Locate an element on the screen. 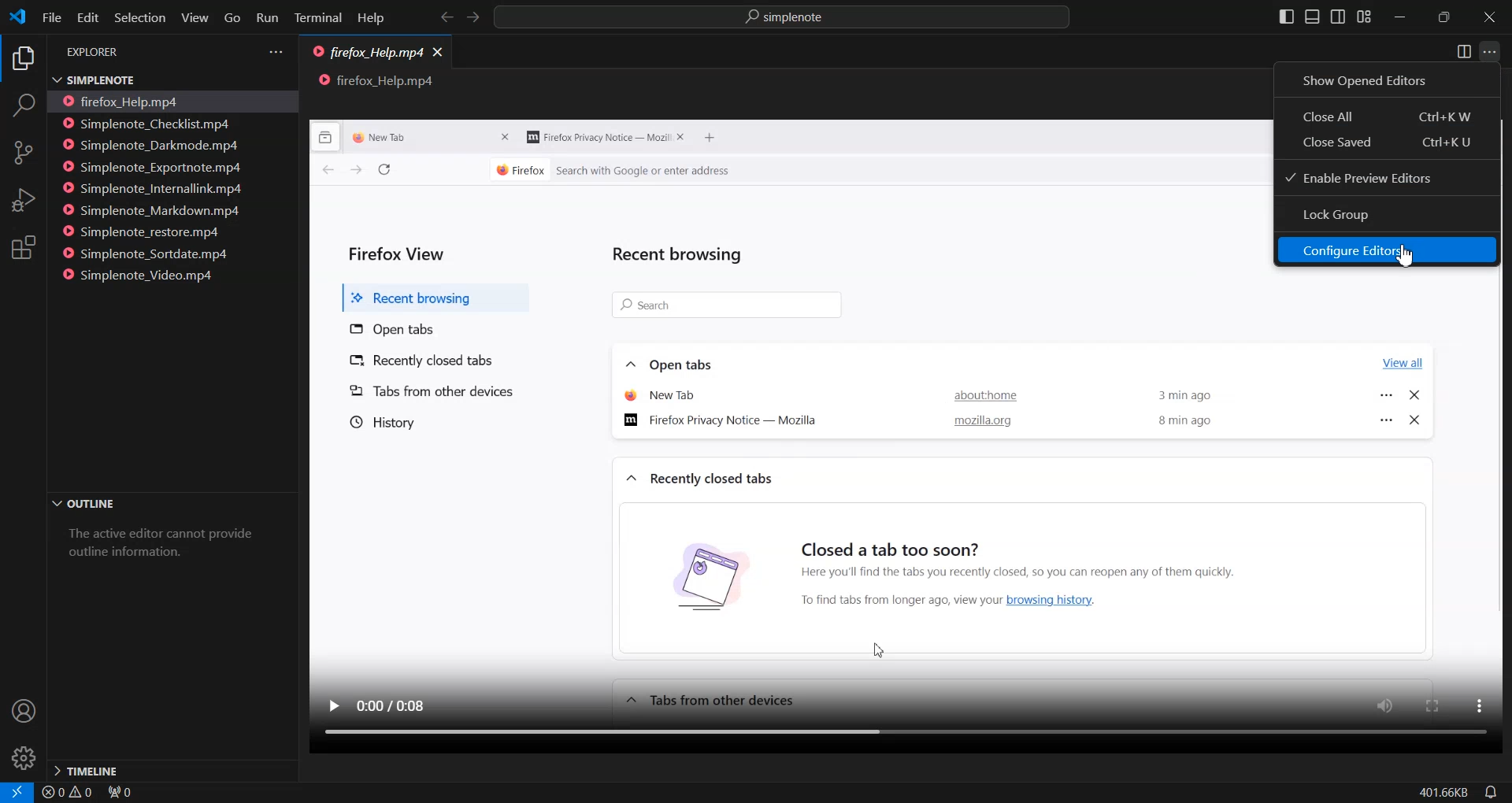 Image resolution: width=1512 pixels, height=803 pixels. Manage is located at coordinates (24, 758).